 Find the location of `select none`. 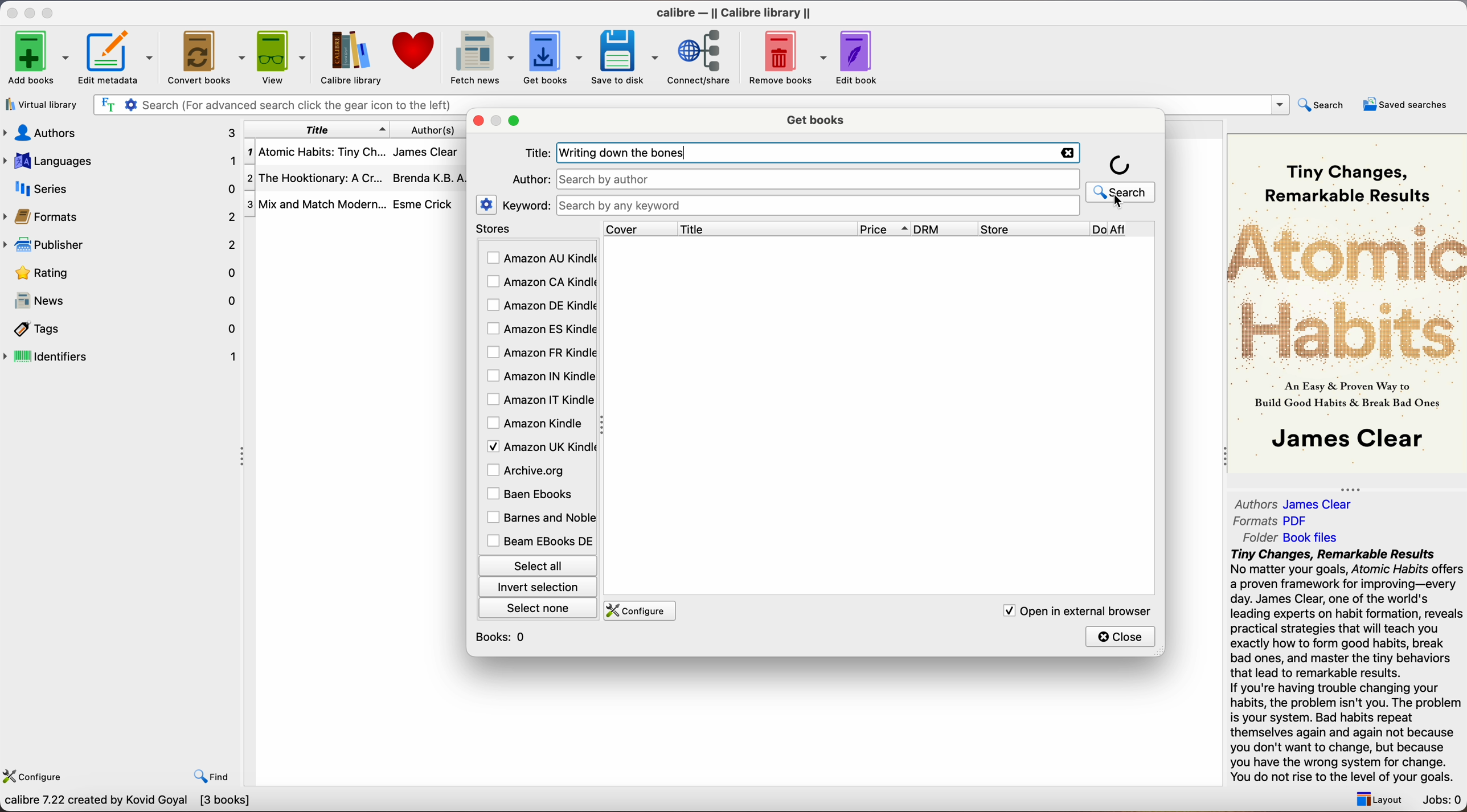

select none is located at coordinates (539, 607).